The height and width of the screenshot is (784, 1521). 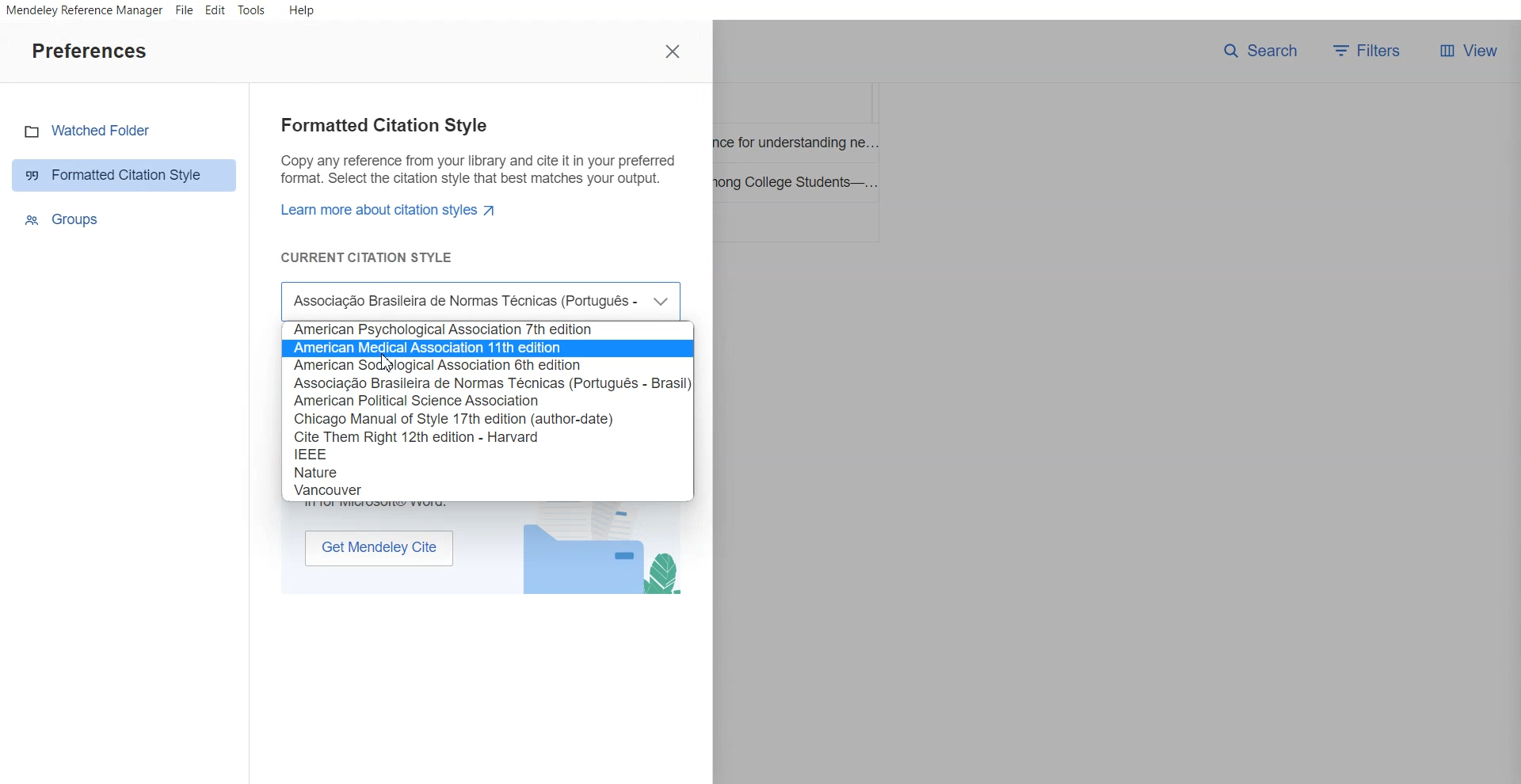 I want to click on Group, so click(x=126, y=219).